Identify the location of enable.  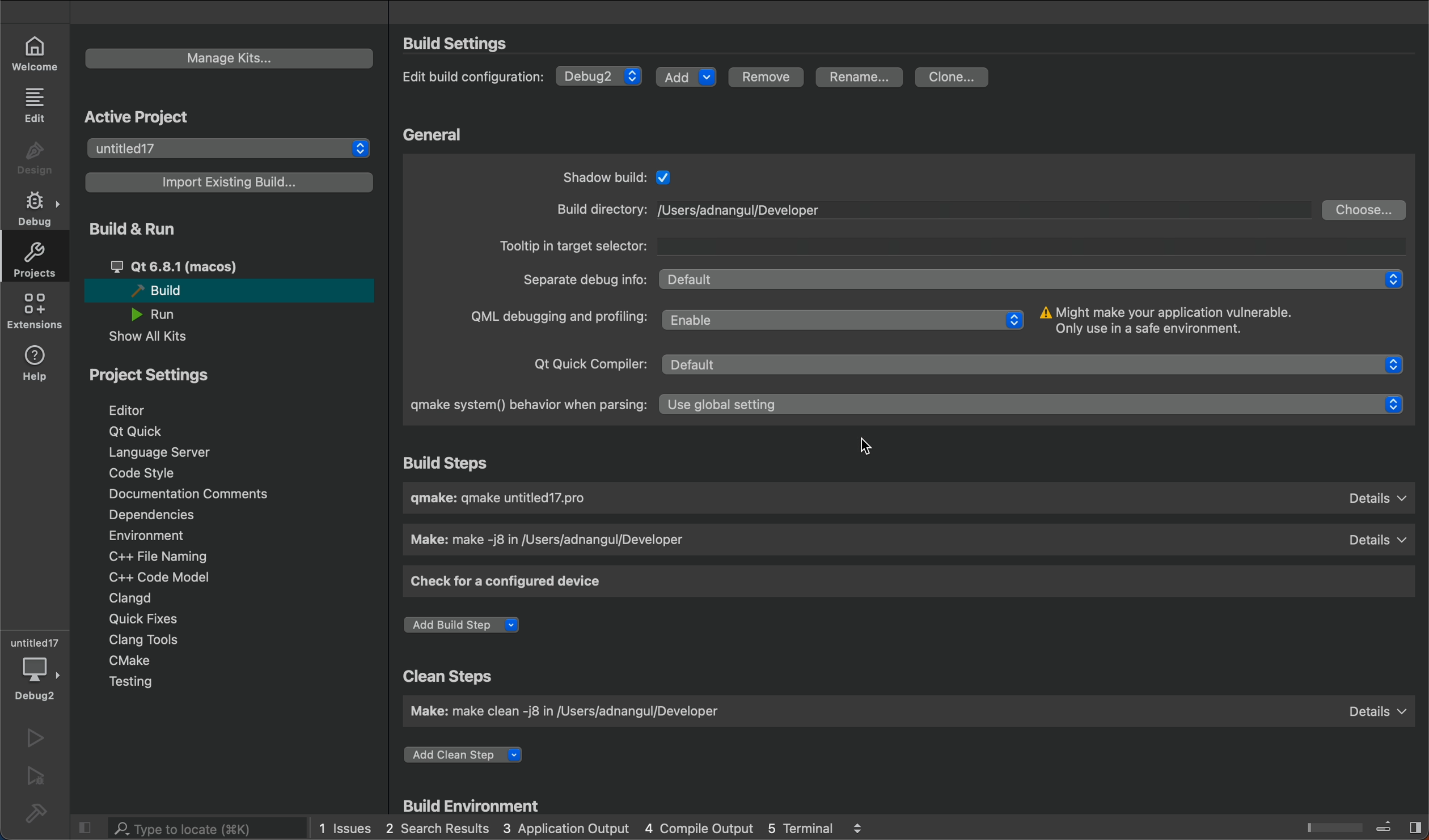
(1044, 363).